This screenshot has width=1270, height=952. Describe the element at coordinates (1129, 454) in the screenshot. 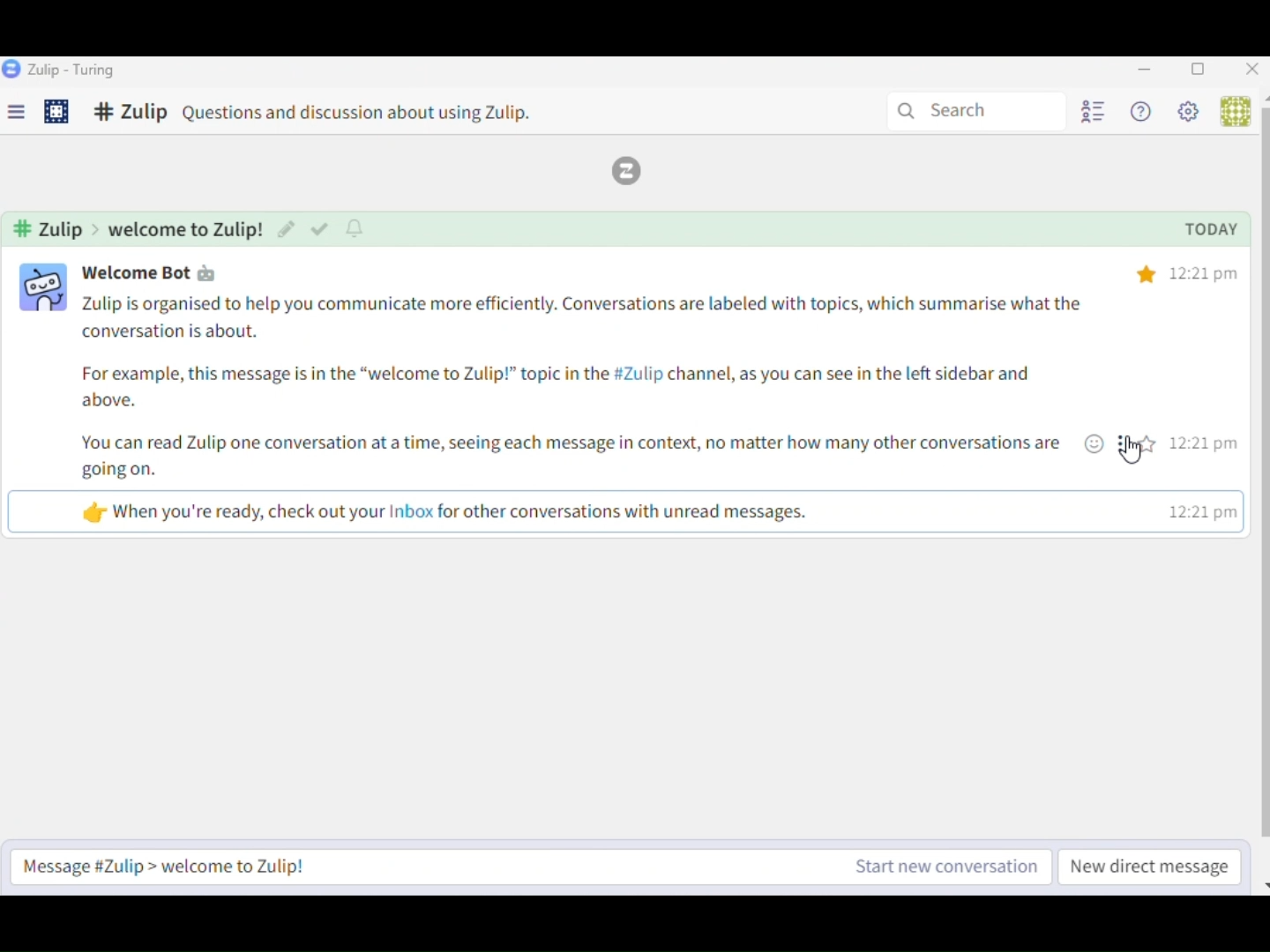

I see `Cursor` at that location.